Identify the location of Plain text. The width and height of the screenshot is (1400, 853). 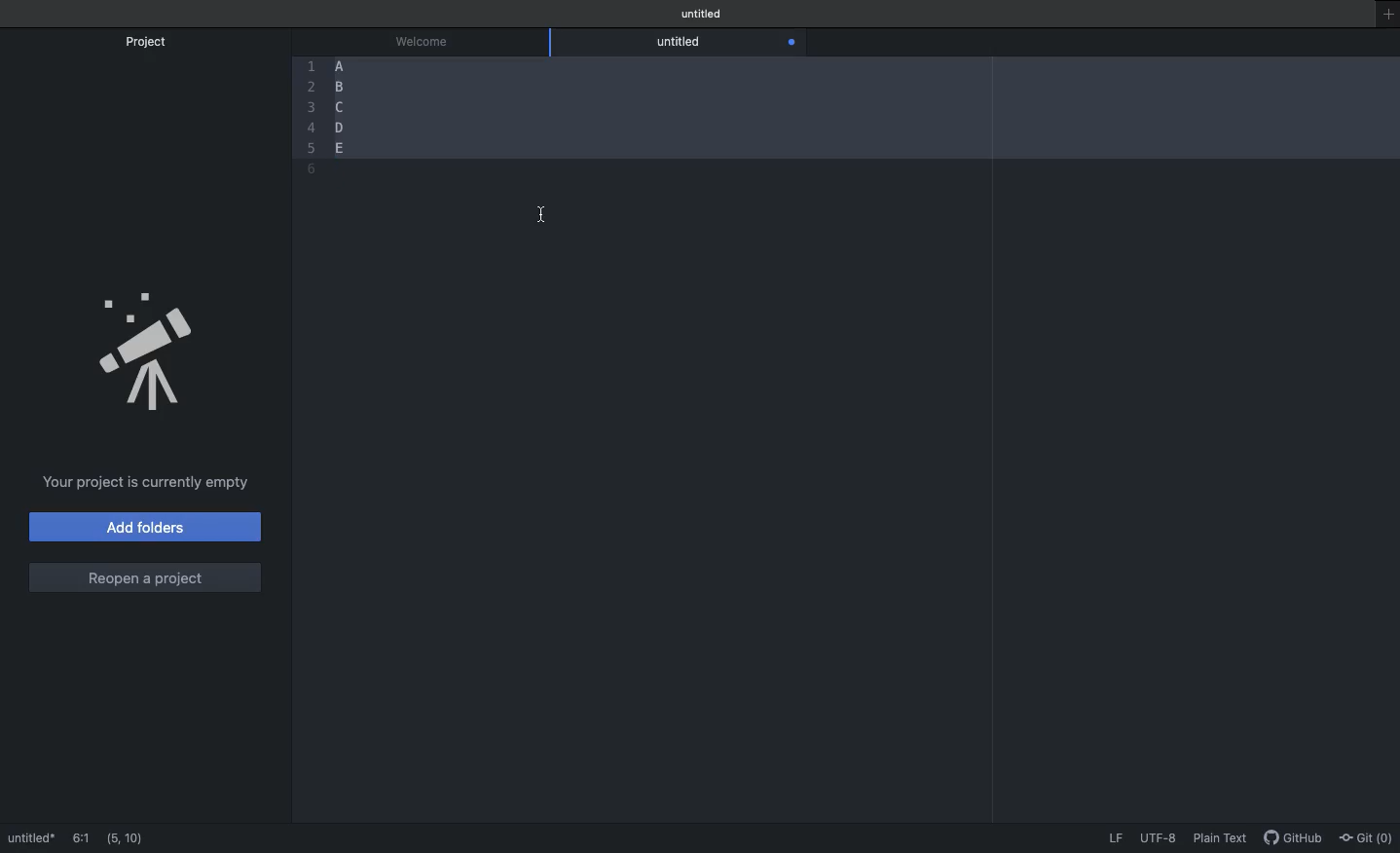
(1225, 841).